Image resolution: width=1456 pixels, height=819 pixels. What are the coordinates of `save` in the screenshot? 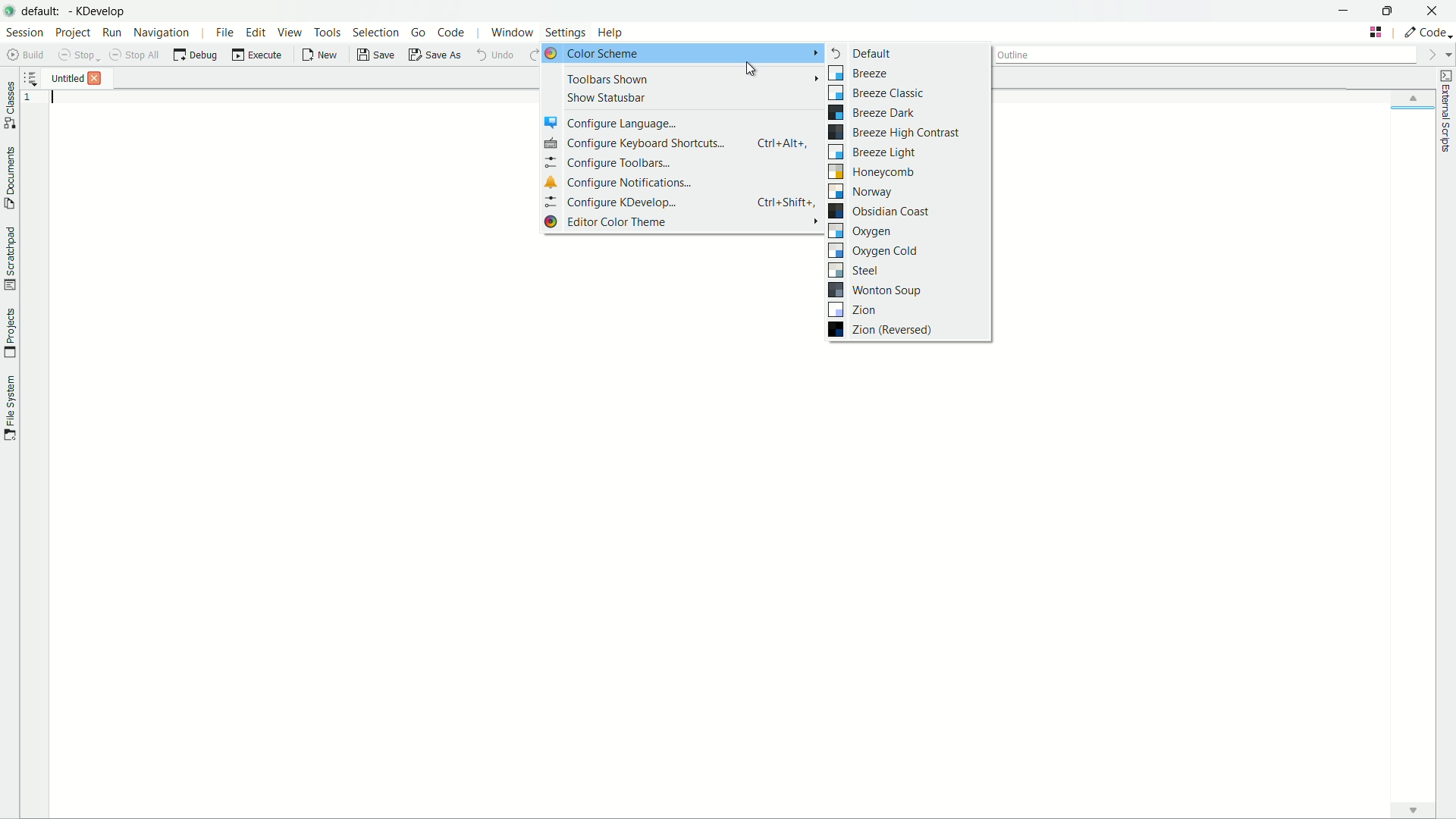 It's located at (375, 57).